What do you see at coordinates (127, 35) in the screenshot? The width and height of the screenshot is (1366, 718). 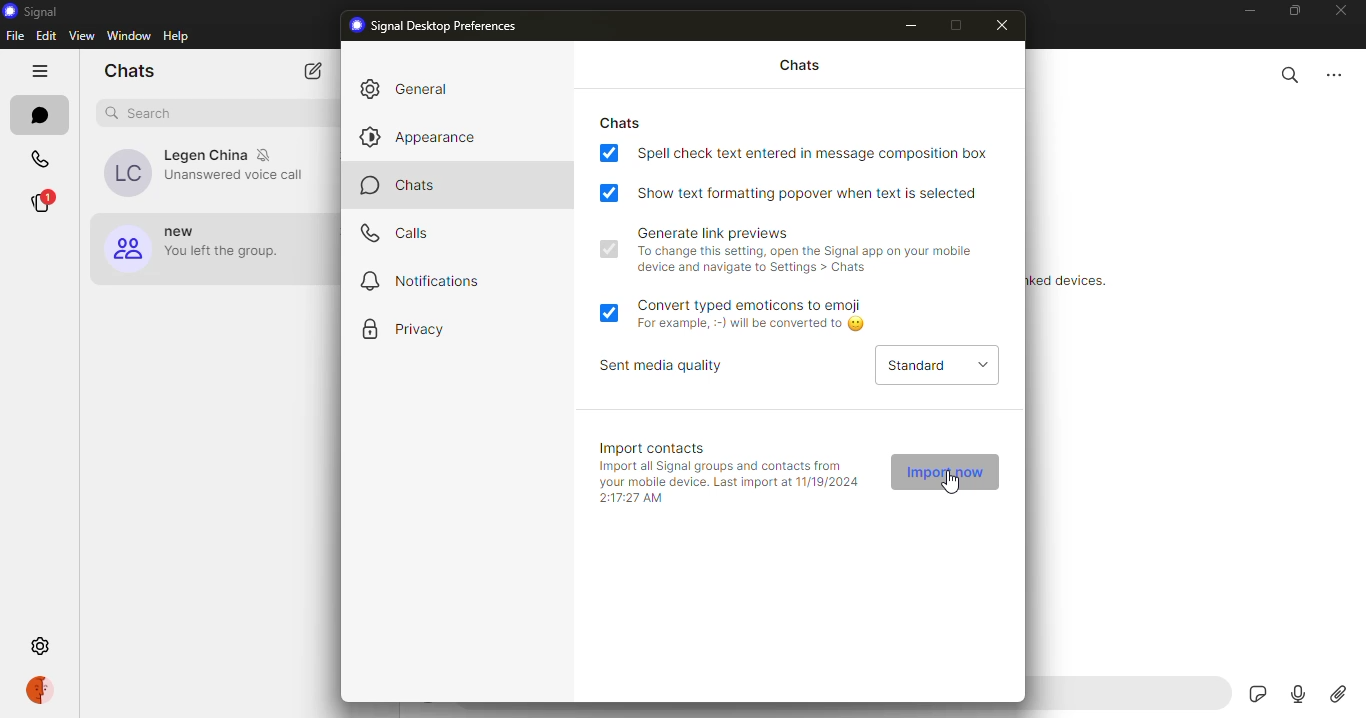 I see `window` at bounding box center [127, 35].